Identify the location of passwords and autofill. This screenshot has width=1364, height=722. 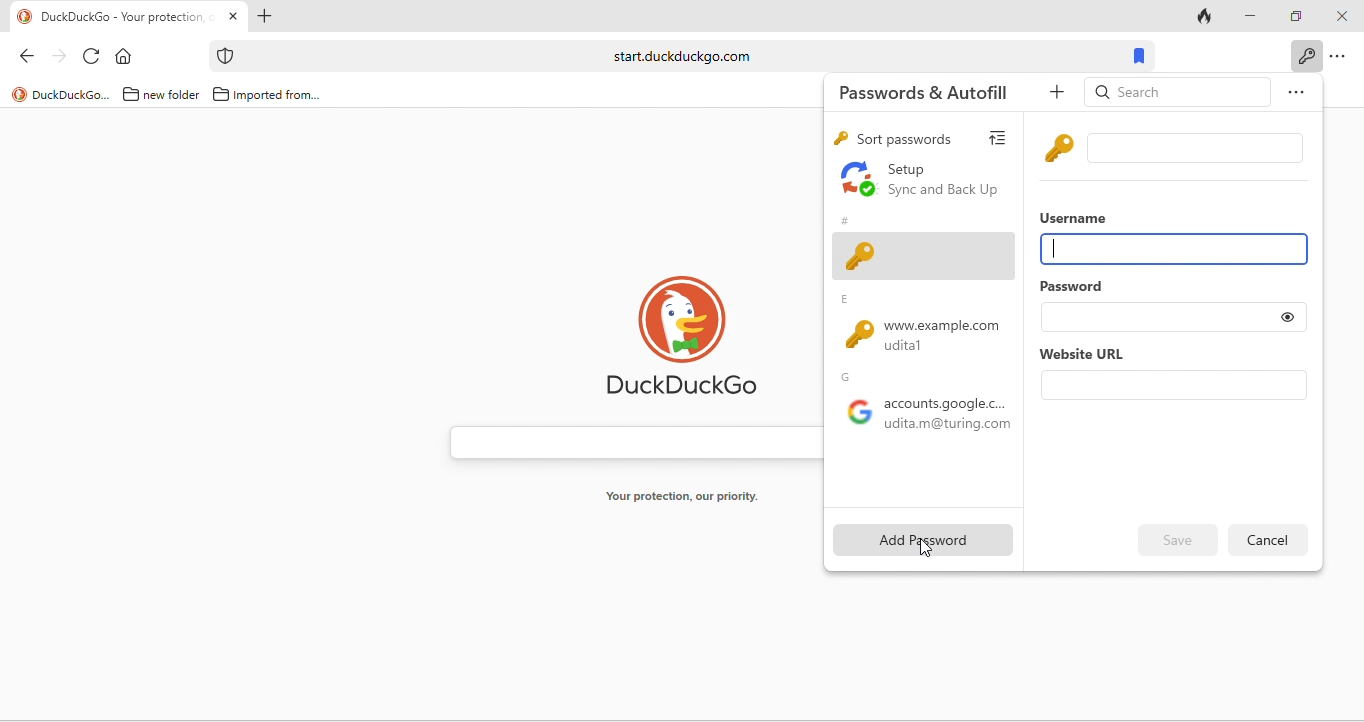
(936, 91).